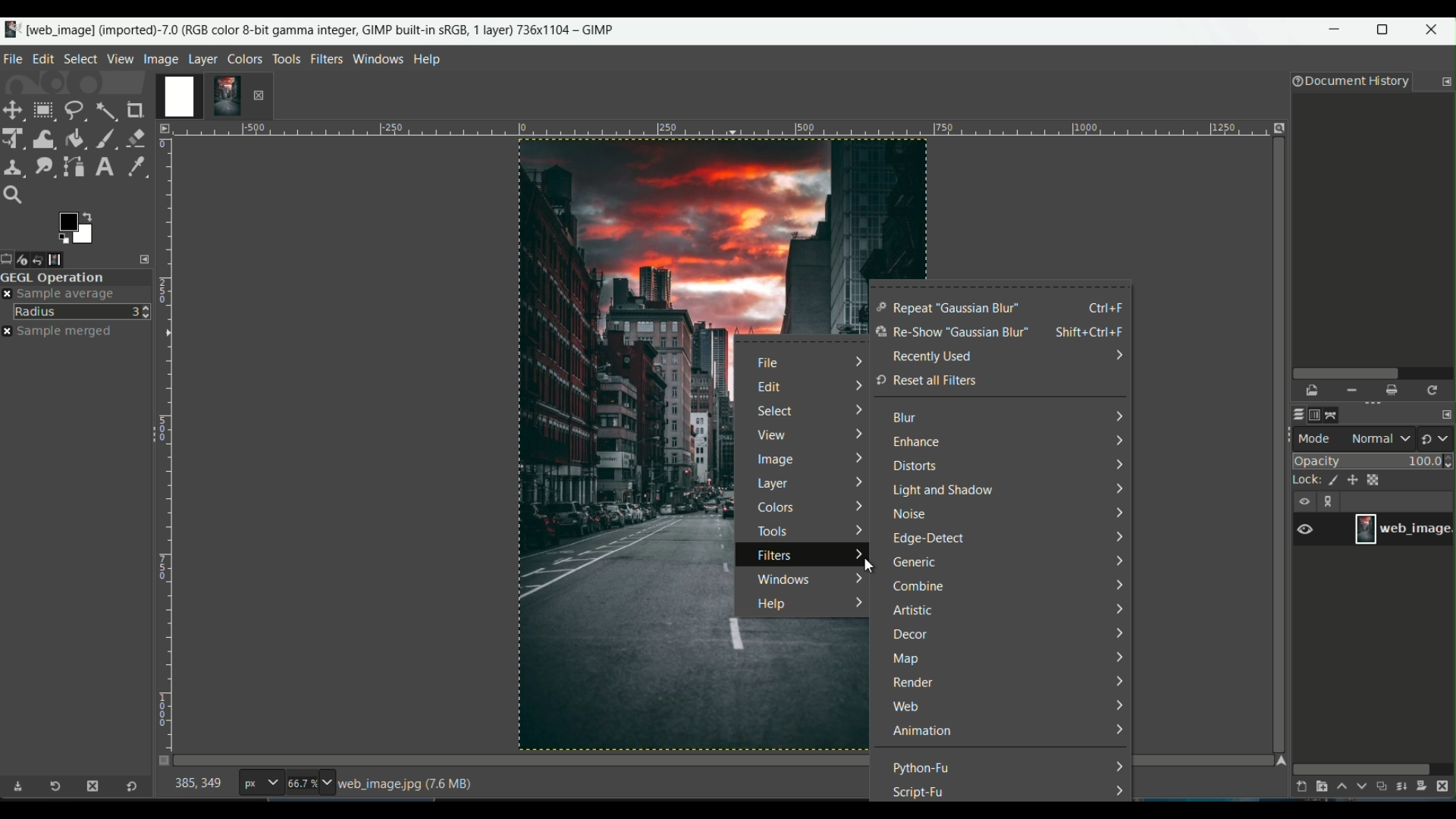 This screenshot has width=1456, height=819. I want to click on merge layer, so click(1403, 787).